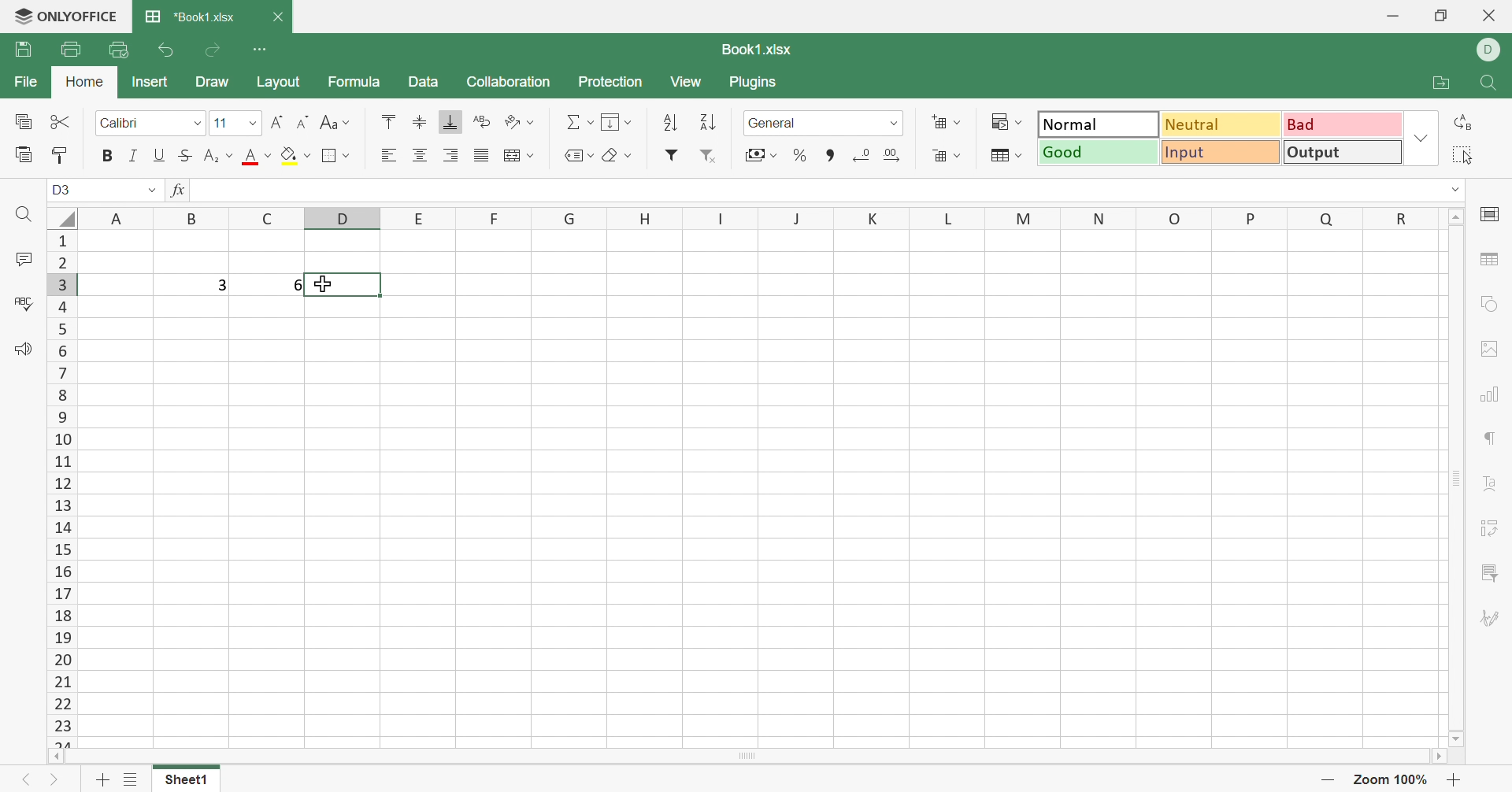  Describe the element at coordinates (1463, 154) in the screenshot. I see `Select all` at that location.